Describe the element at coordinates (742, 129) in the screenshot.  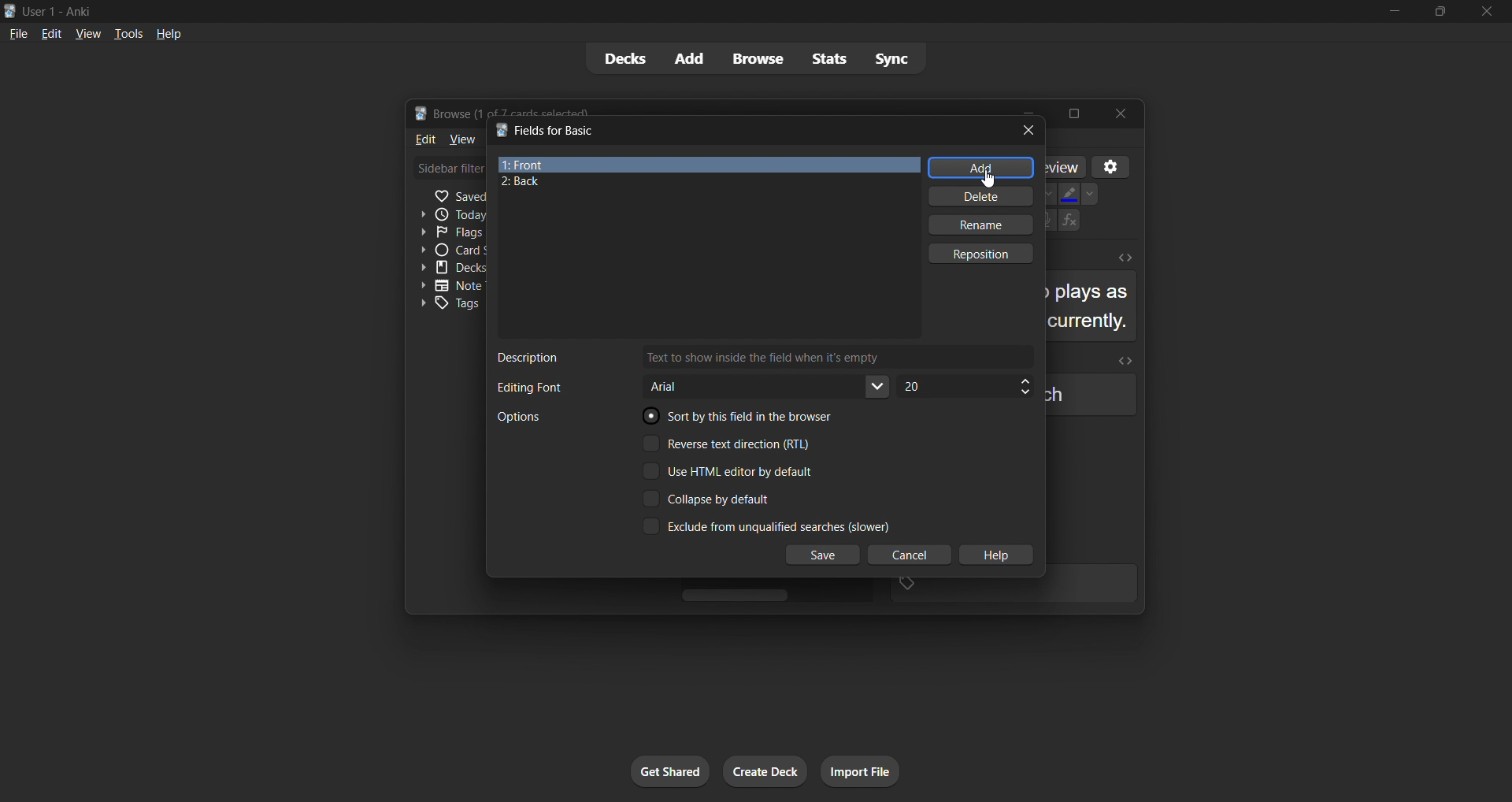
I see `title bar` at that location.